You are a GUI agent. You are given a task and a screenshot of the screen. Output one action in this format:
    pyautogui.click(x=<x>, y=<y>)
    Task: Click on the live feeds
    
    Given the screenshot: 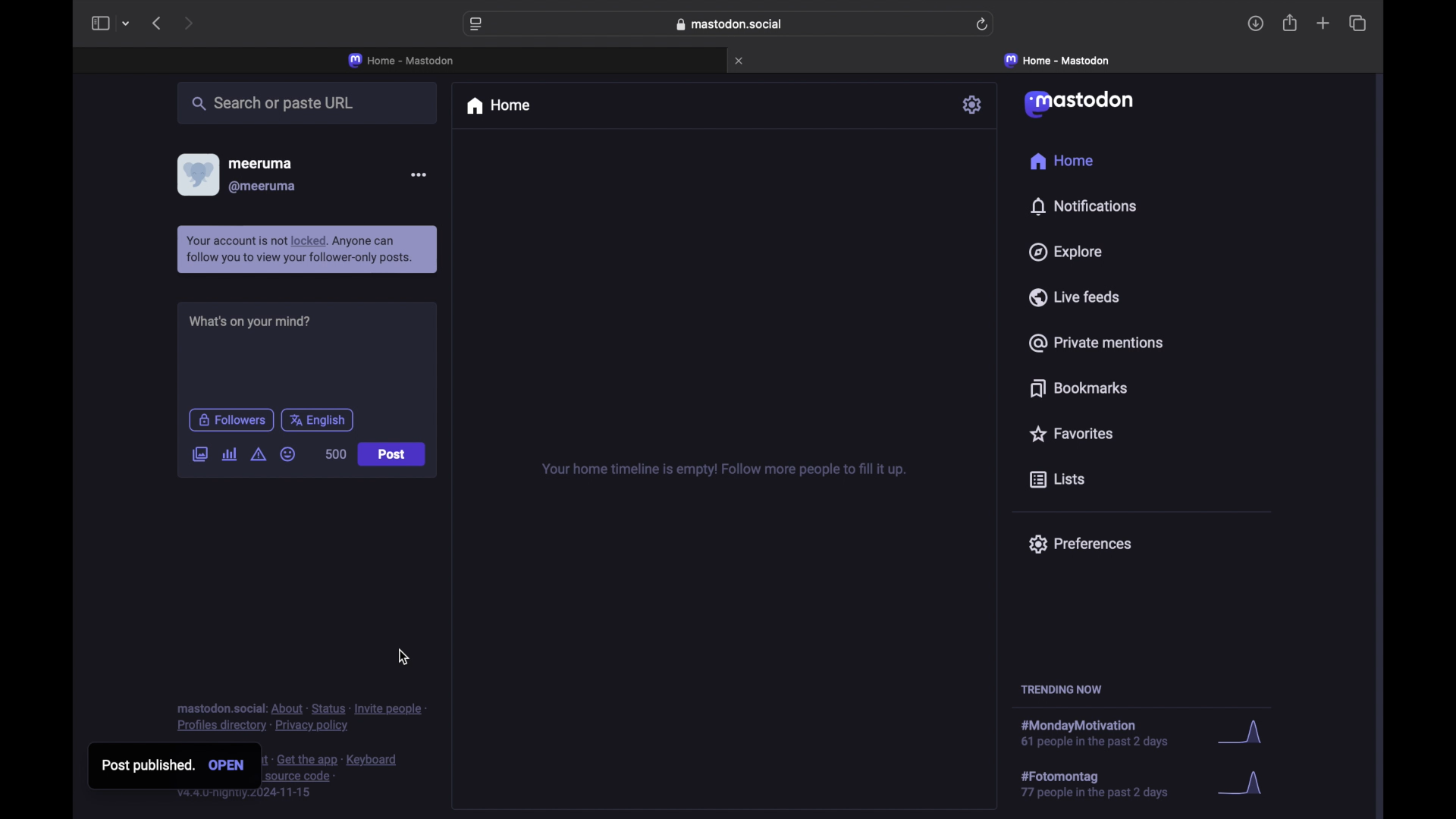 What is the action you would take?
    pyautogui.click(x=1075, y=297)
    